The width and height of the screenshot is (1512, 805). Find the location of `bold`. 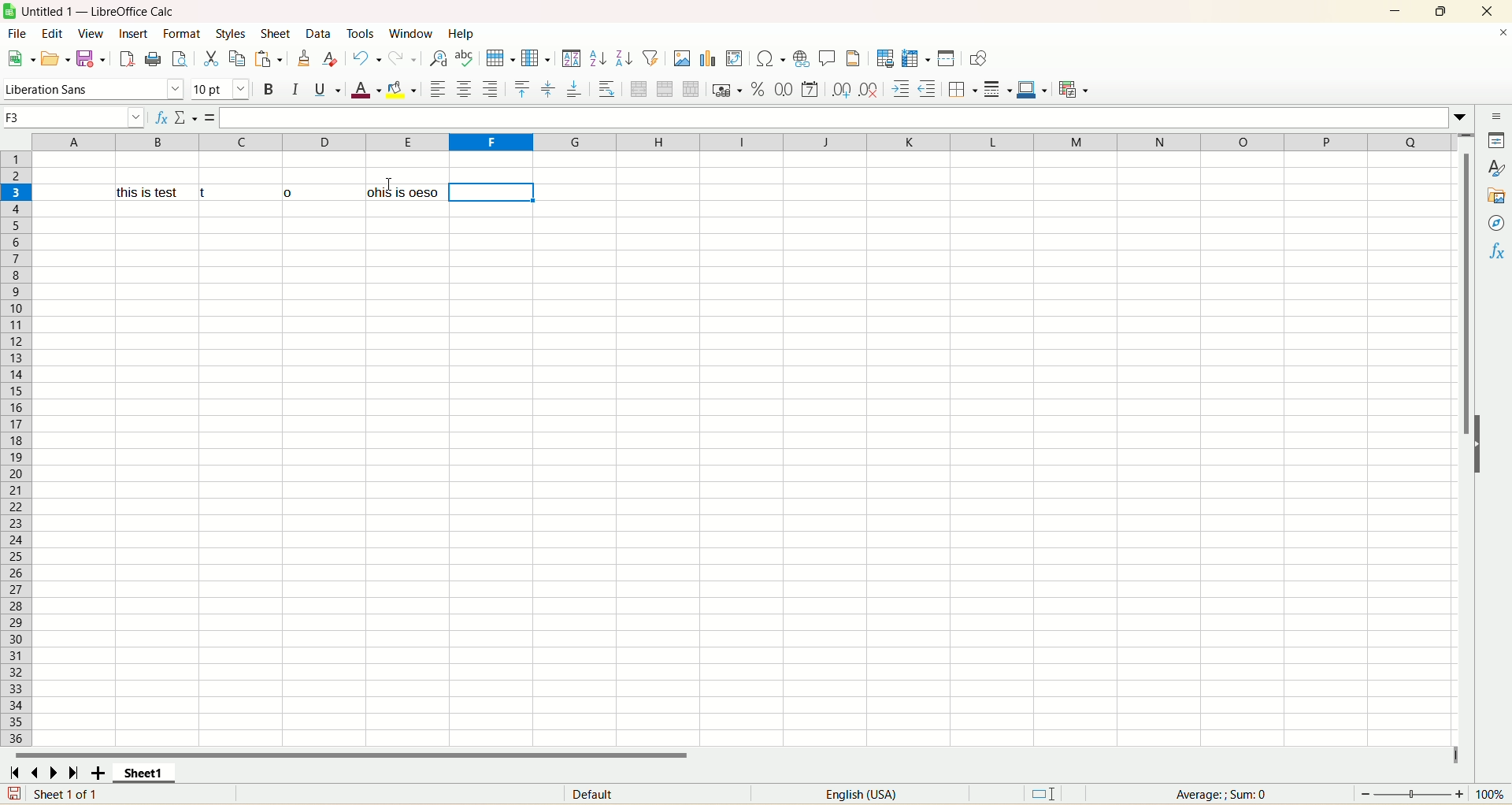

bold is located at coordinates (272, 90).